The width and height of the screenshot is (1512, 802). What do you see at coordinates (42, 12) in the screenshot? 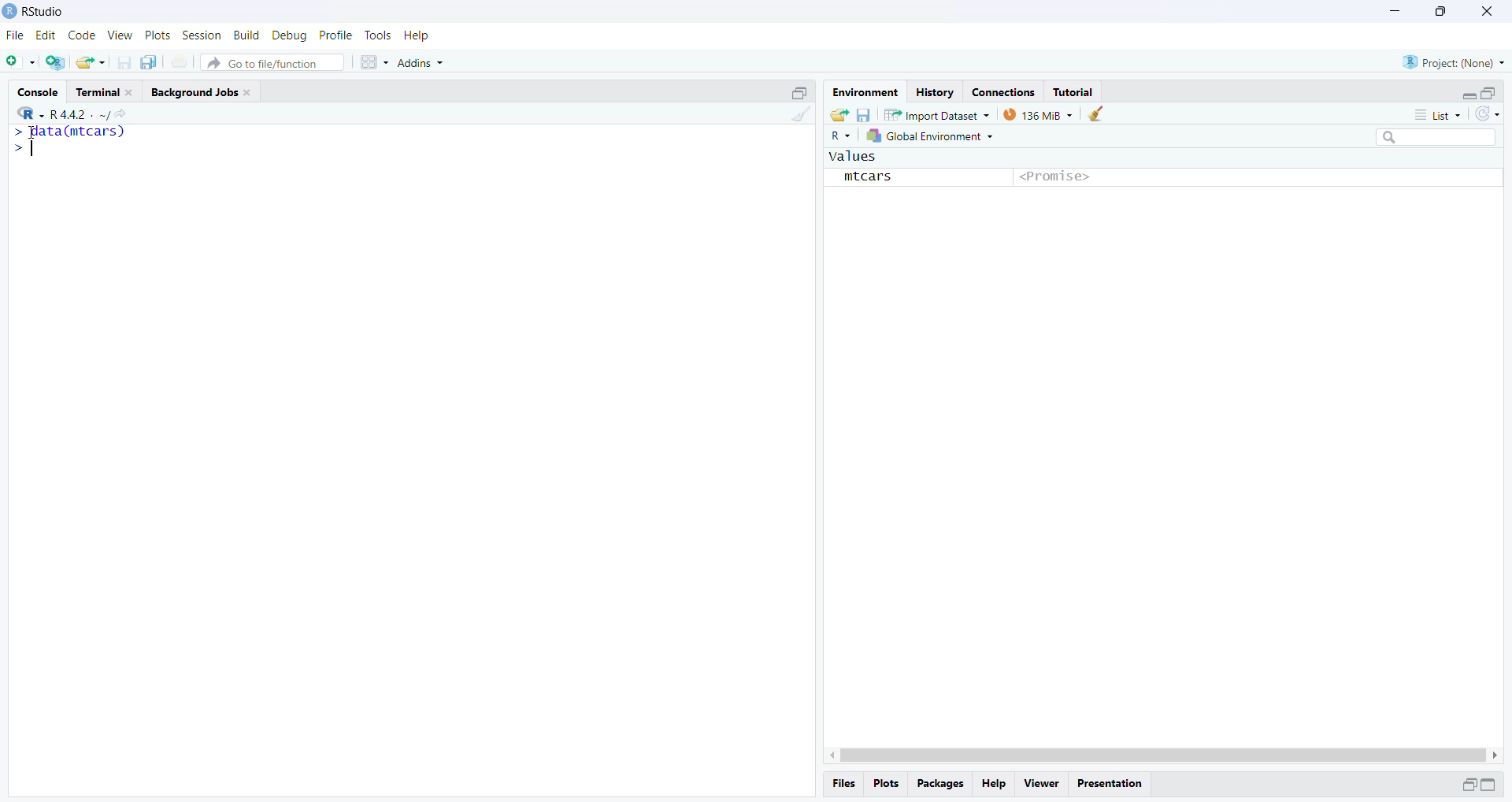
I see `RStudio` at bounding box center [42, 12].